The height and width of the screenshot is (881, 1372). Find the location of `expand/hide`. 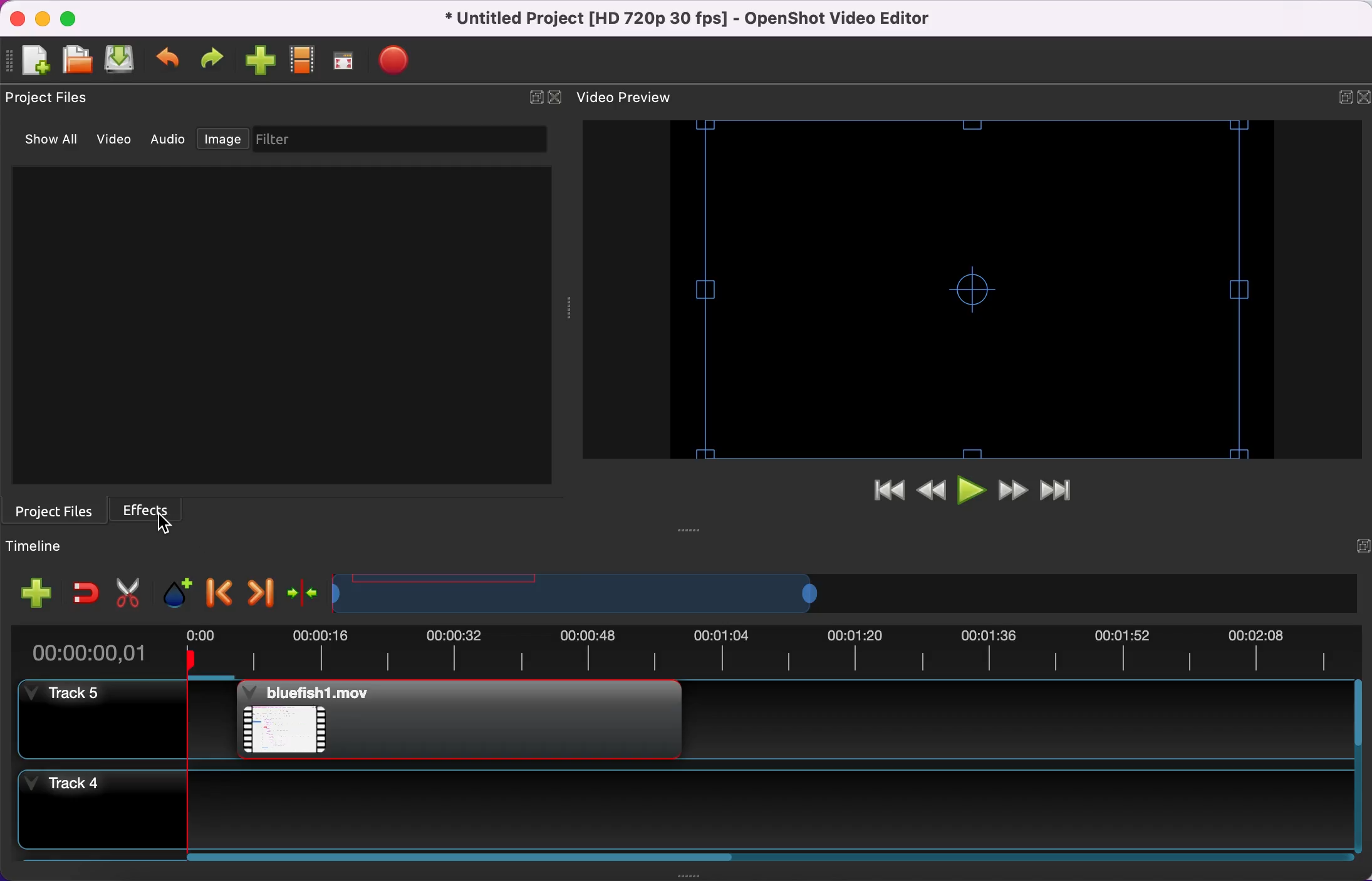

expand/hide is located at coordinates (1344, 100).